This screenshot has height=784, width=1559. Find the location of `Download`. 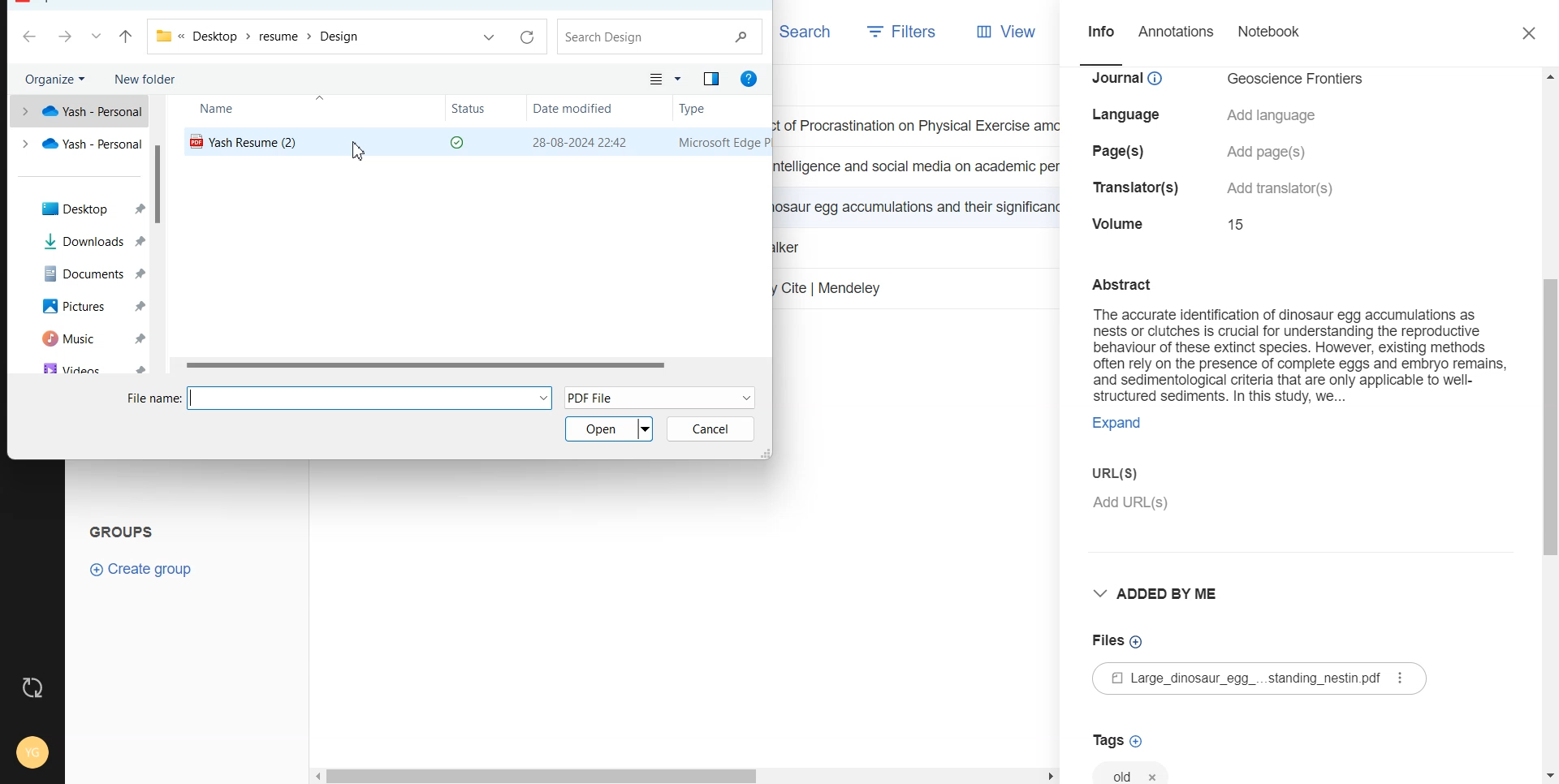

Download is located at coordinates (80, 242).